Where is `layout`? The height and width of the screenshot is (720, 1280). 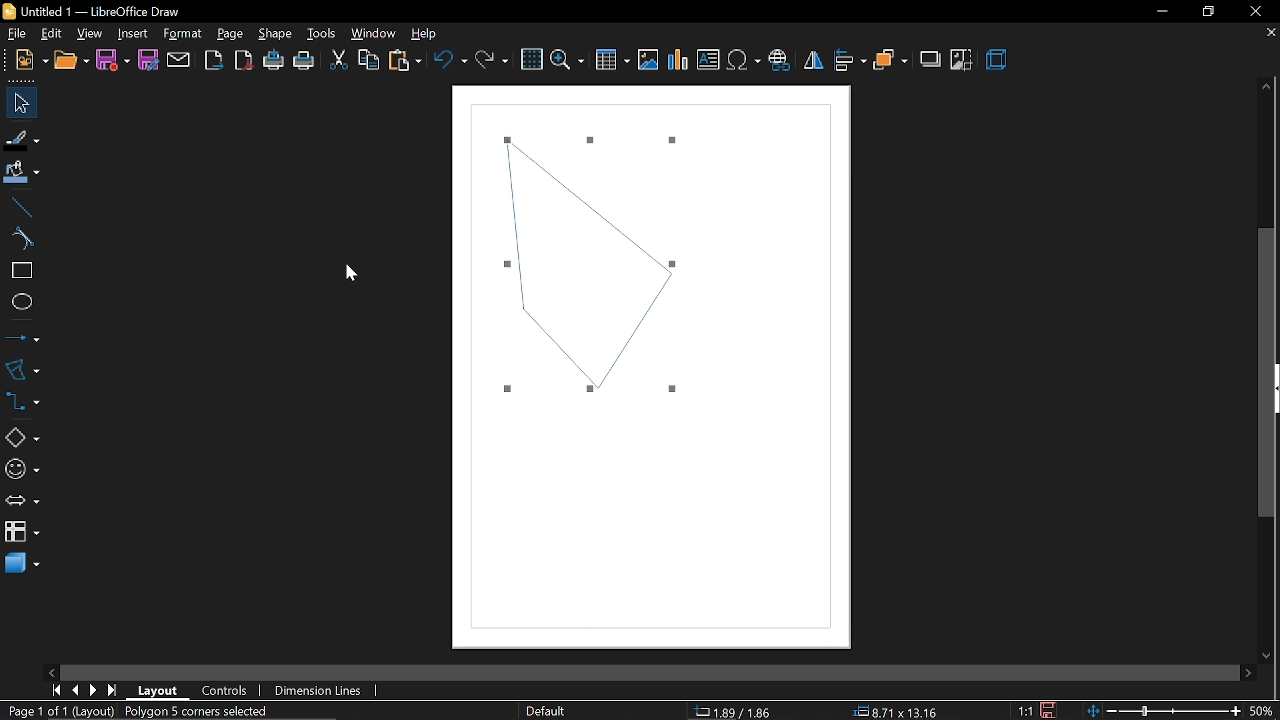 layout is located at coordinates (158, 689).